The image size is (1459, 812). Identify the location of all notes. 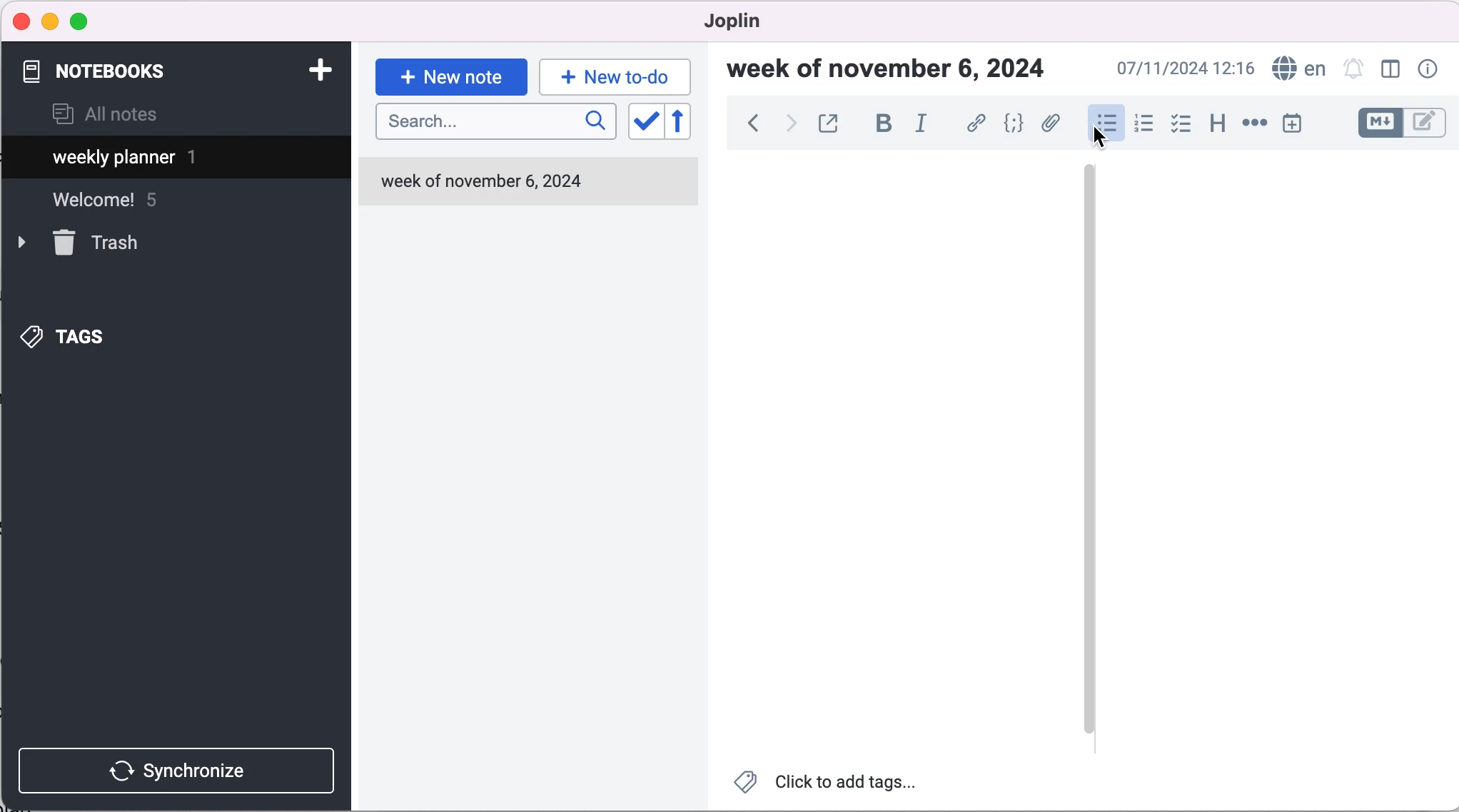
(105, 116).